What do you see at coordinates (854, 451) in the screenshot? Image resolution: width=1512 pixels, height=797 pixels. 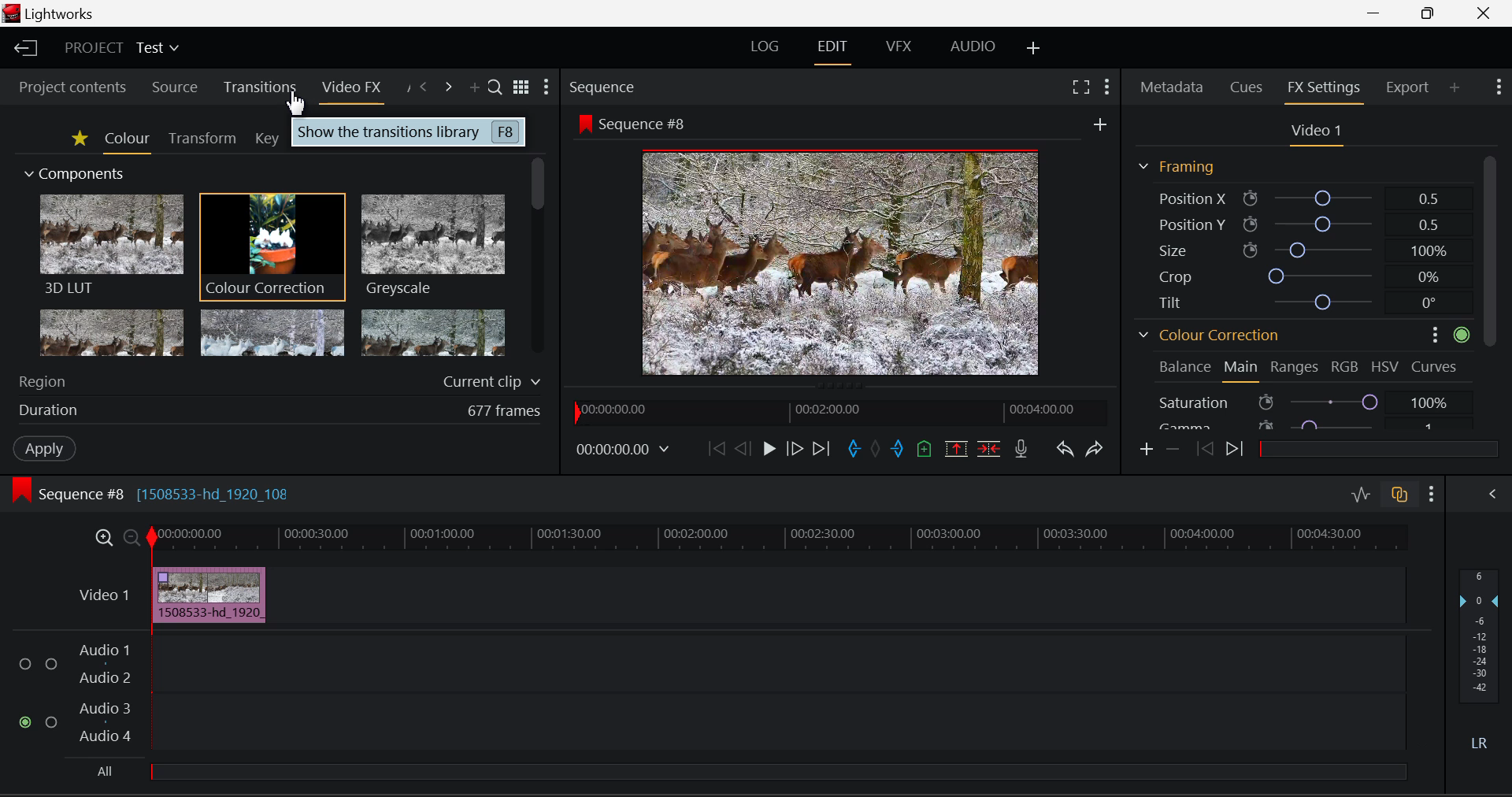 I see `Mark In` at bounding box center [854, 451].